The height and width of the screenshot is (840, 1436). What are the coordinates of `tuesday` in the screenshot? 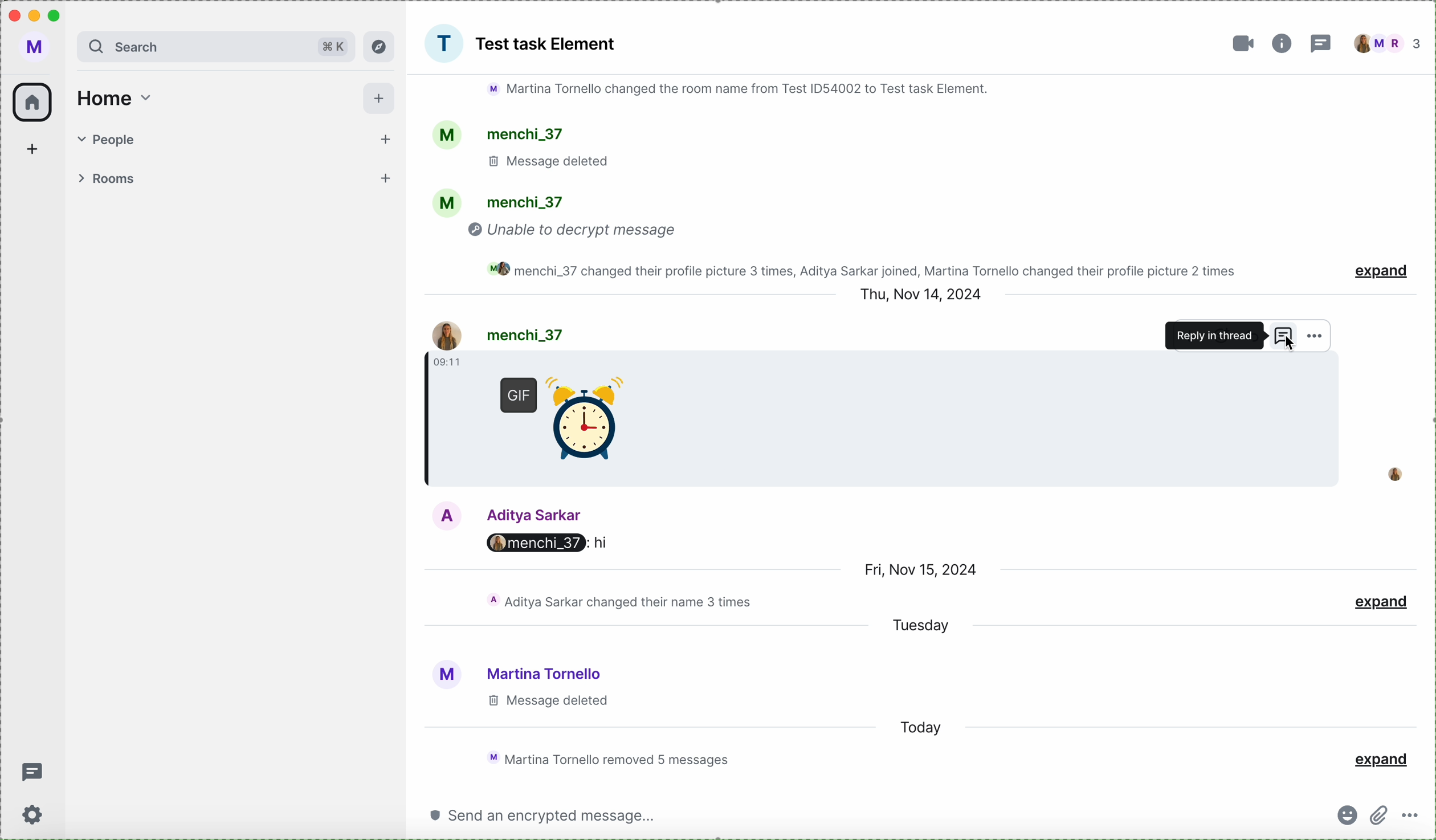 It's located at (921, 626).